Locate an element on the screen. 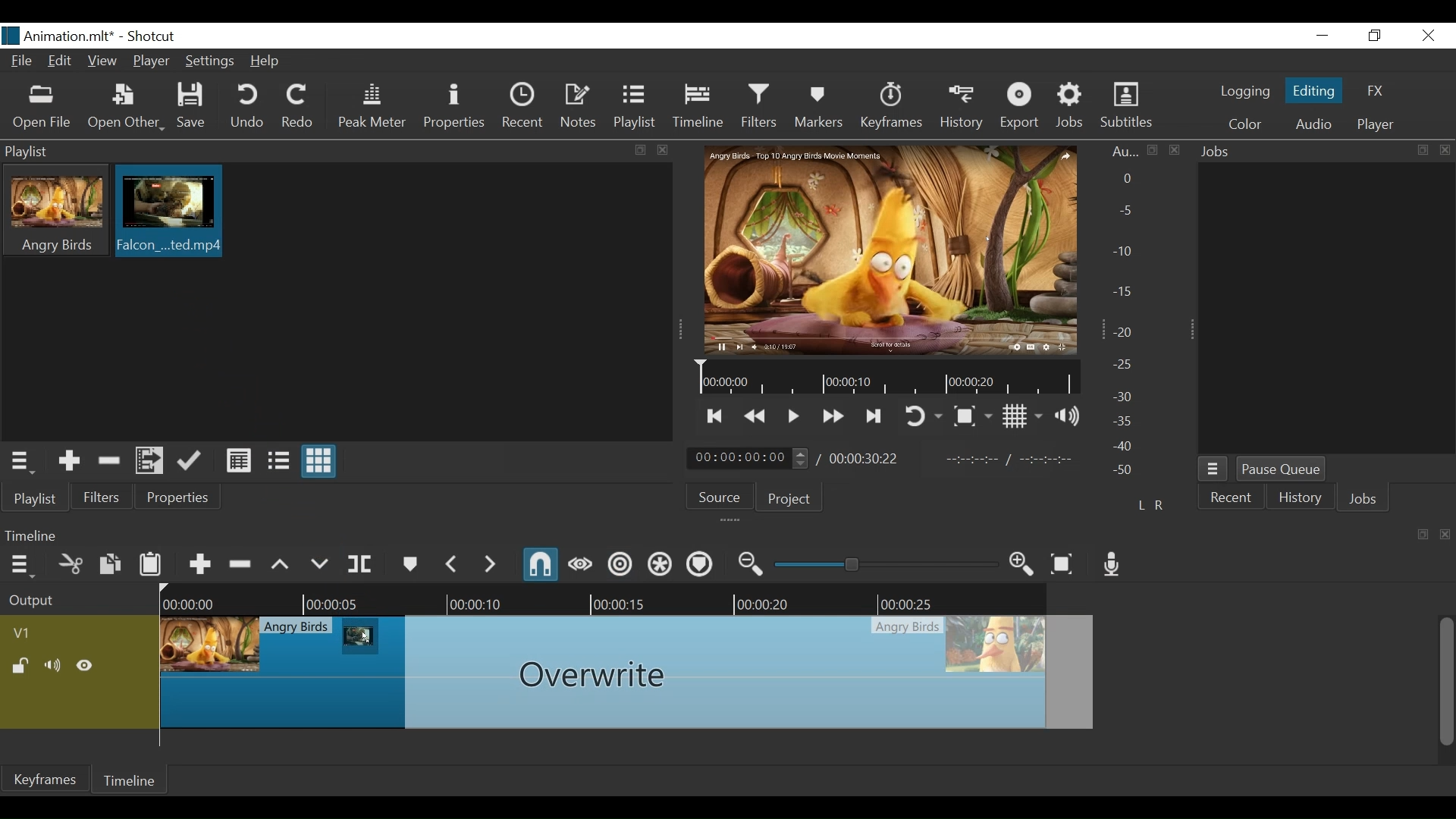 The height and width of the screenshot is (819, 1456). Toggle play or pause is located at coordinates (794, 416).